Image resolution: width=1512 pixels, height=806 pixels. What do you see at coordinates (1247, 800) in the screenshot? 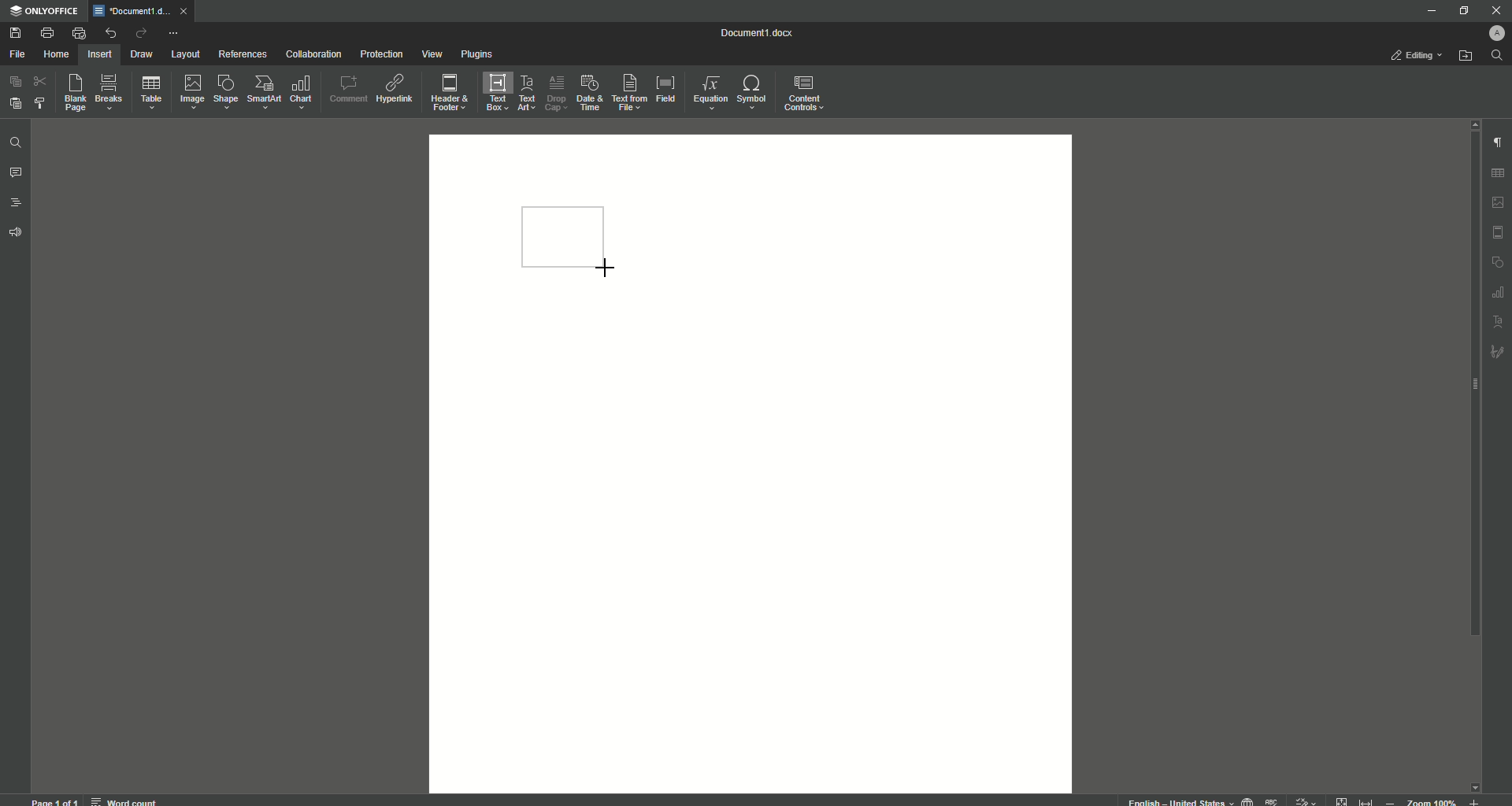
I see `set document language` at bounding box center [1247, 800].